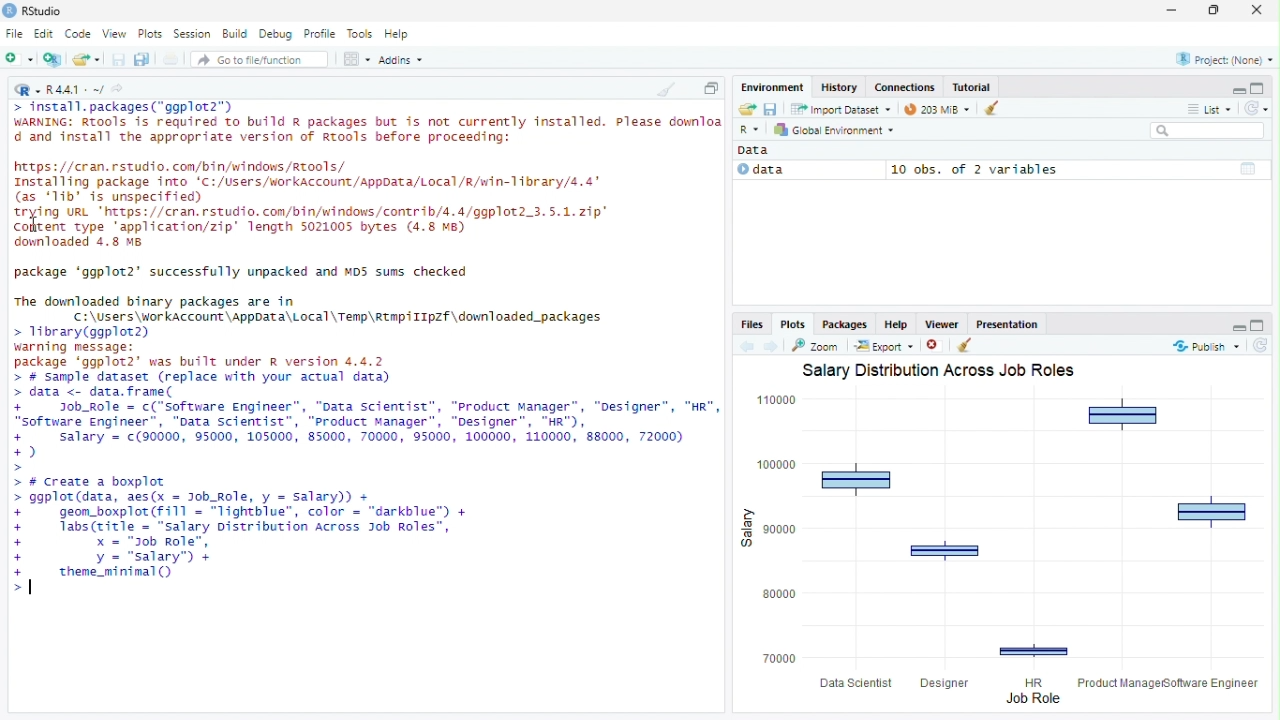  I want to click on Import Dataset, so click(840, 110).